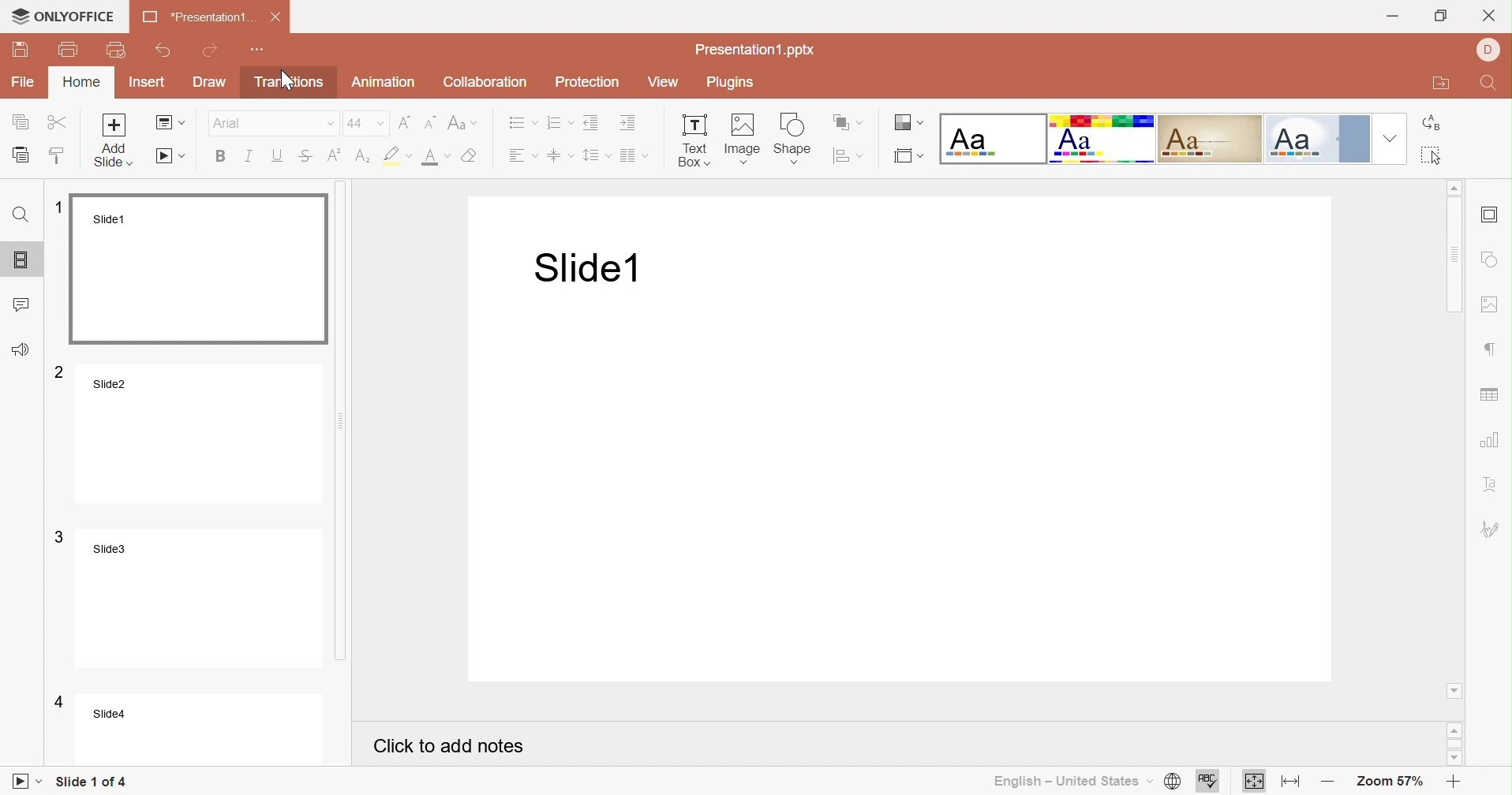 The width and height of the screenshot is (1512, 795). I want to click on Insert columns, so click(635, 157).